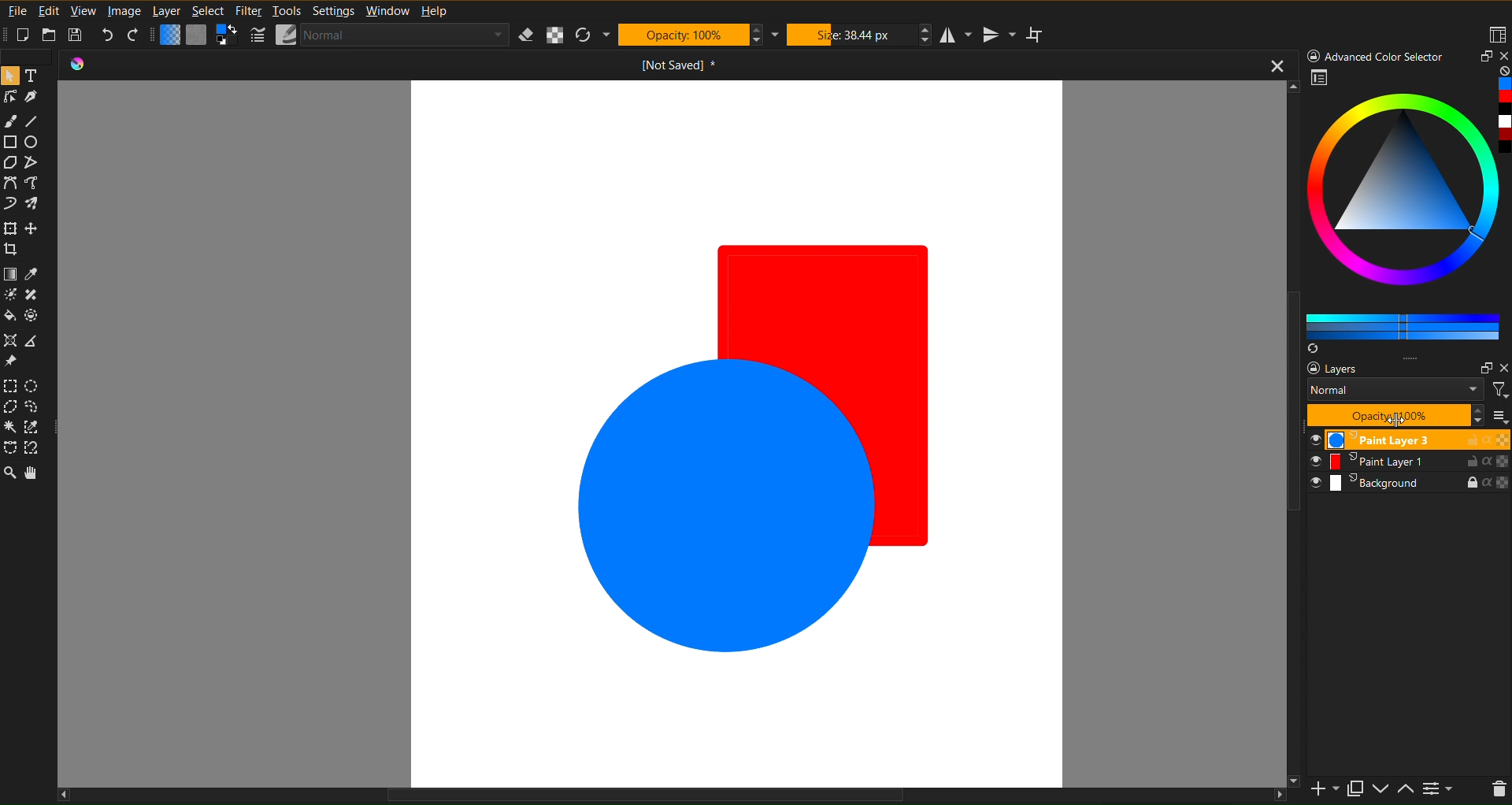 The width and height of the screenshot is (1512, 805). Describe the element at coordinates (1410, 358) in the screenshot. I see `option` at that location.